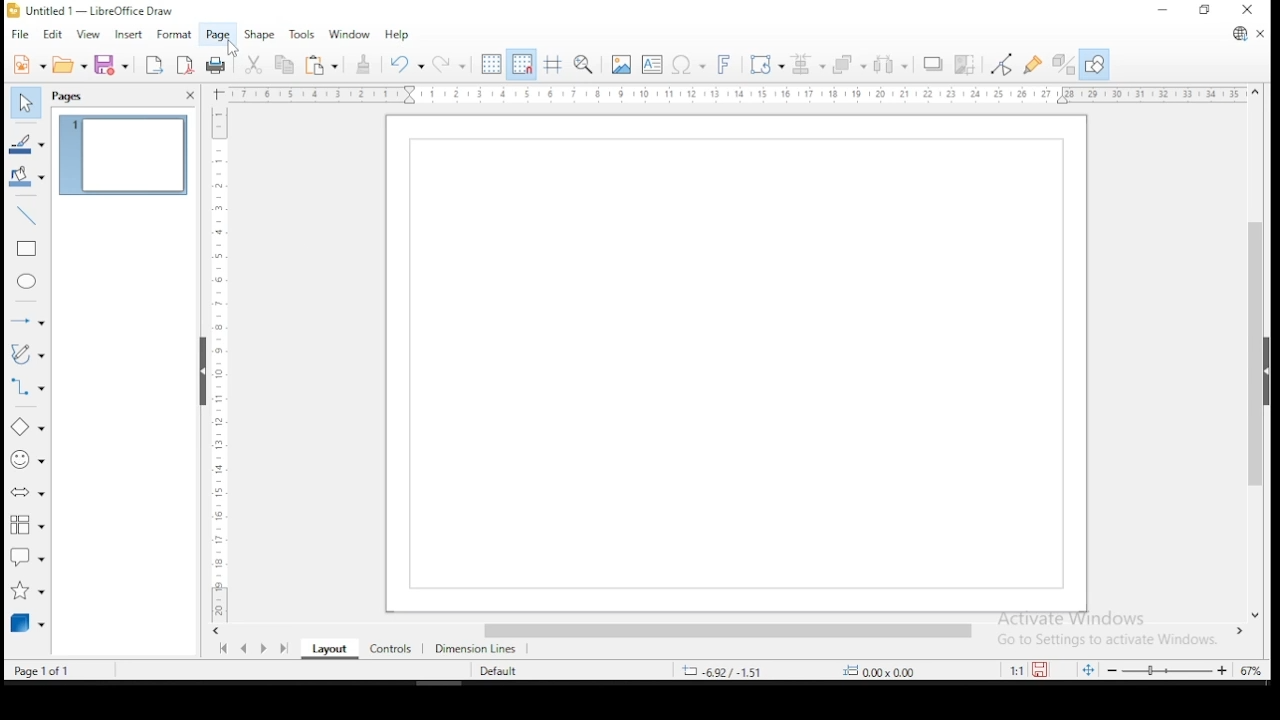 Image resolution: width=1280 pixels, height=720 pixels. Describe the element at coordinates (102, 10) in the screenshot. I see `icon and file name` at that location.